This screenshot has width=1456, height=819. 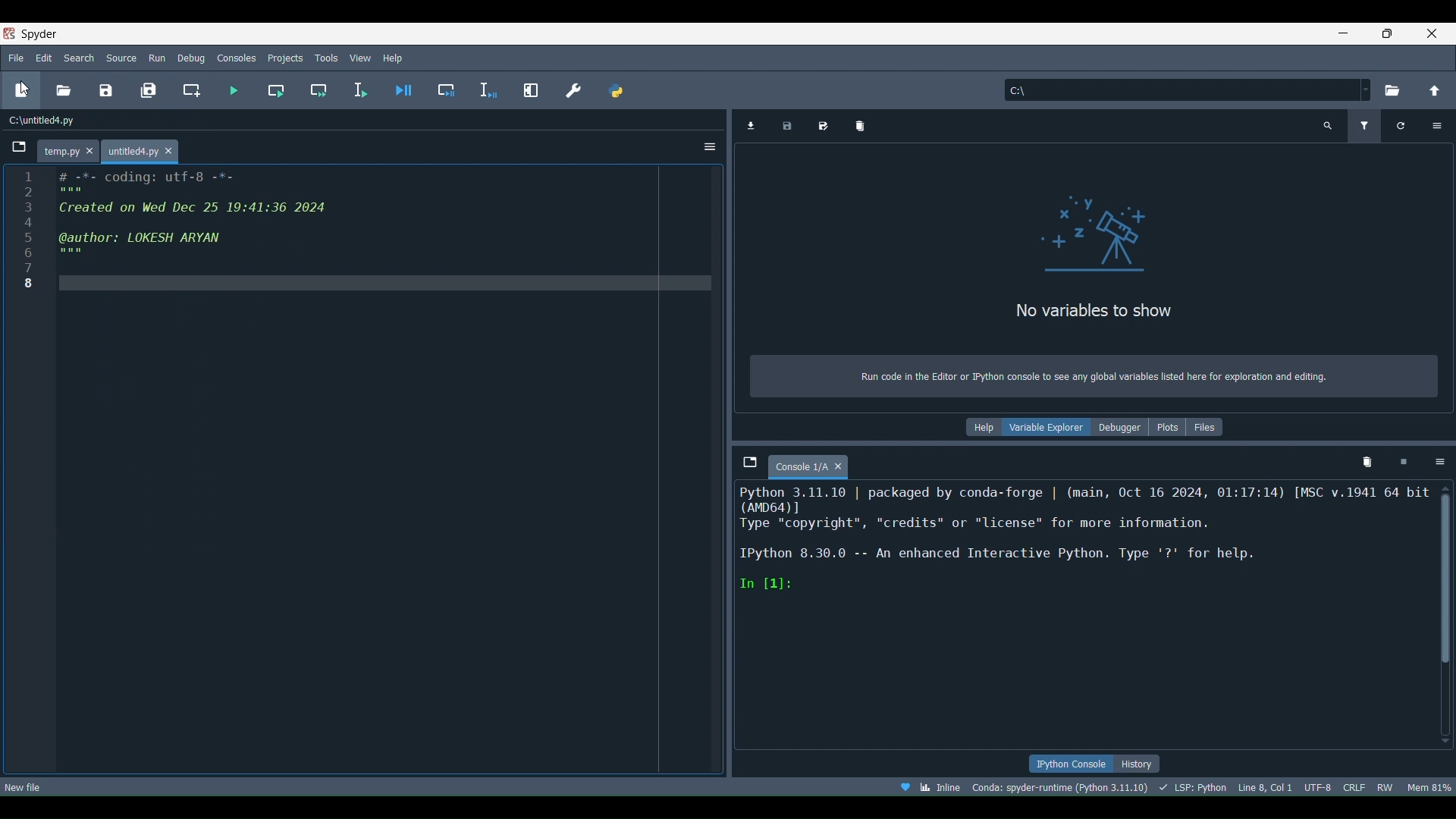 I want to click on Remove all variables, so click(x=858, y=124).